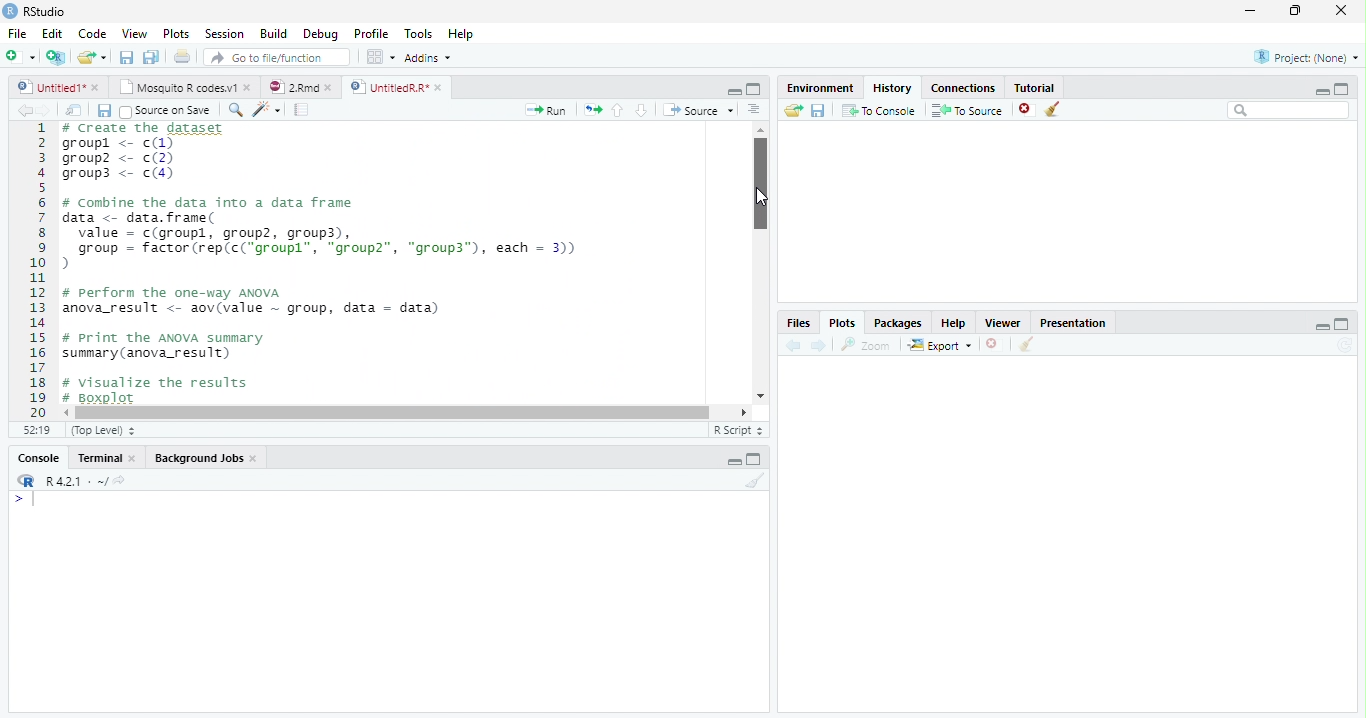 This screenshot has height=718, width=1366. Describe the element at coordinates (1028, 109) in the screenshot. I see `Delete file` at that location.